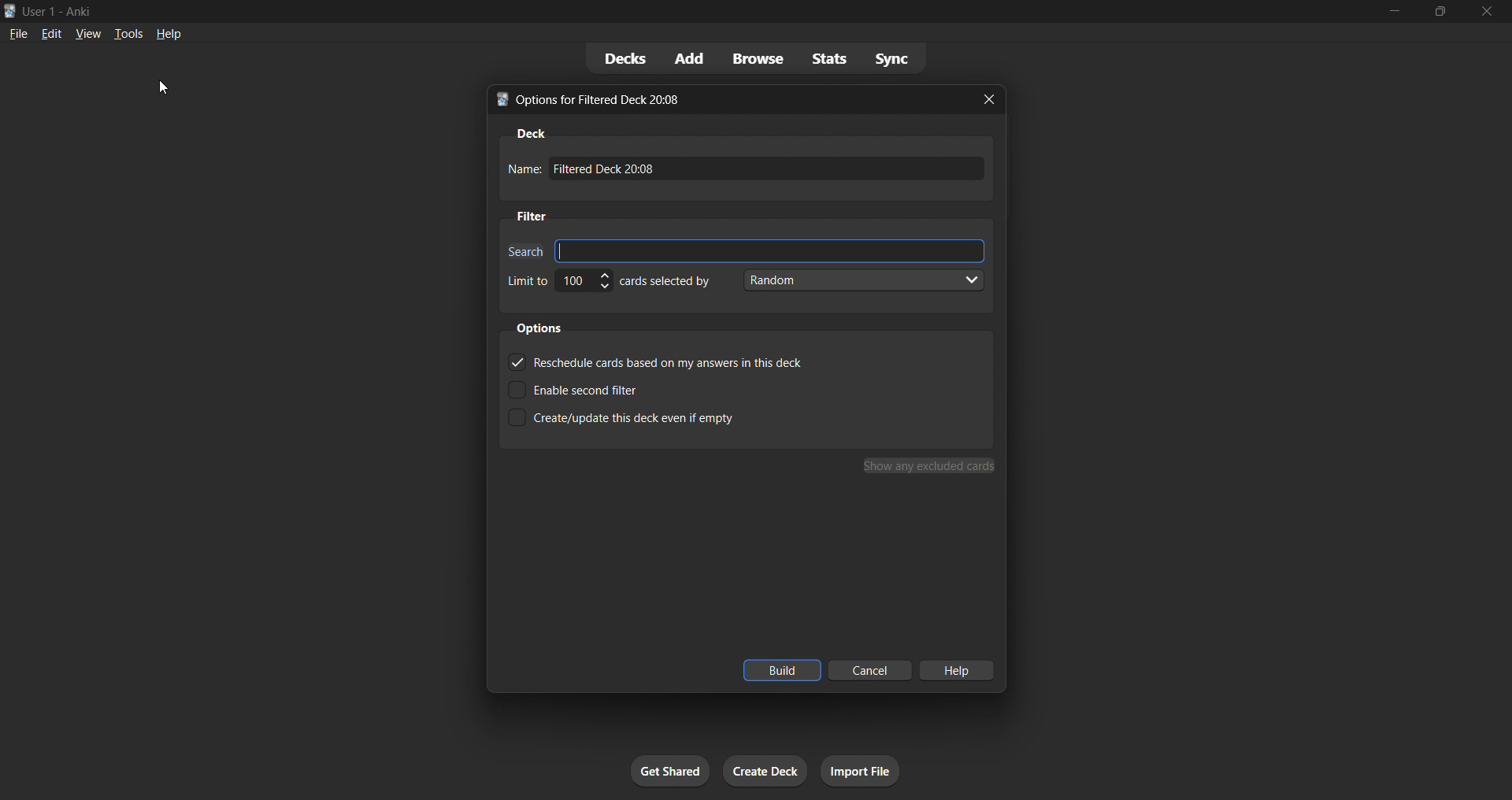 This screenshot has height=800, width=1512. What do you see at coordinates (675, 417) in the screenshot?
I see `(un)check create deck even if empty radio option` at bounding box center [675, 417].